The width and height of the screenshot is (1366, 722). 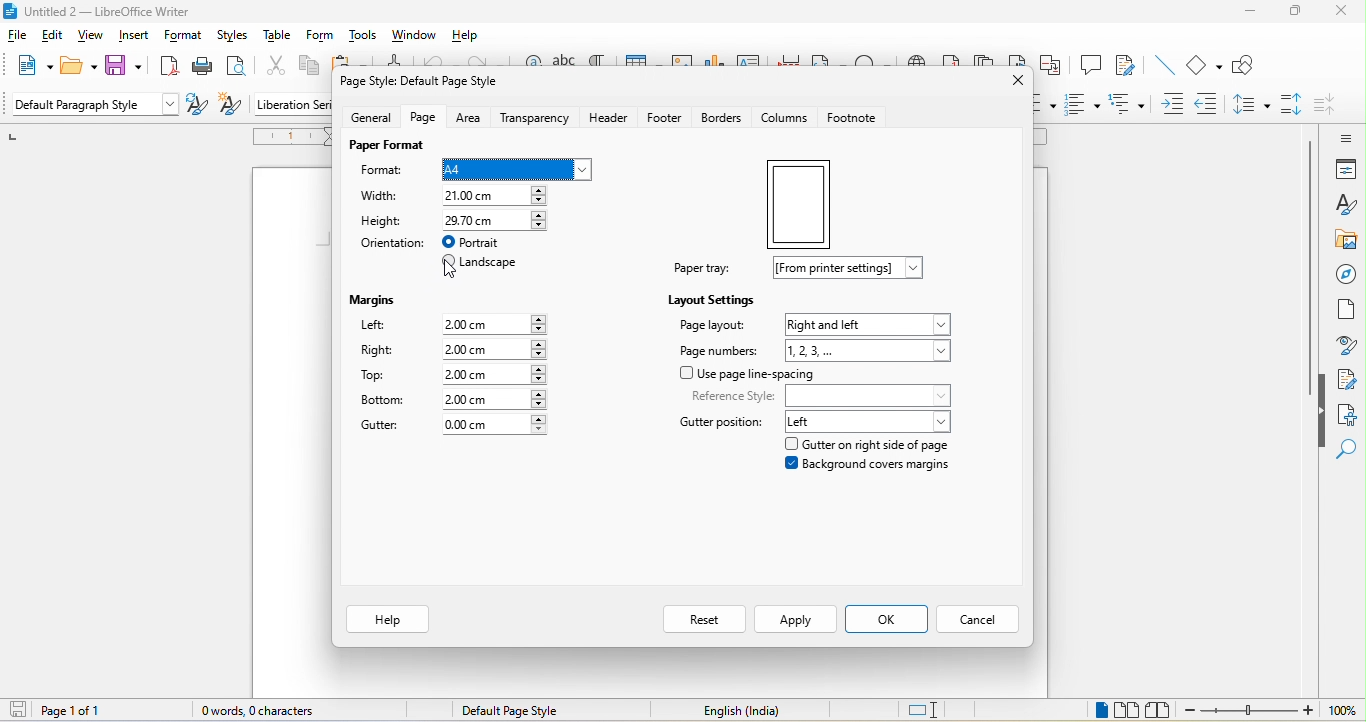 What do you see at coordinates (497, 221) in the screenshot?
I see `29.70 cm` at bounding box center [497, 221].